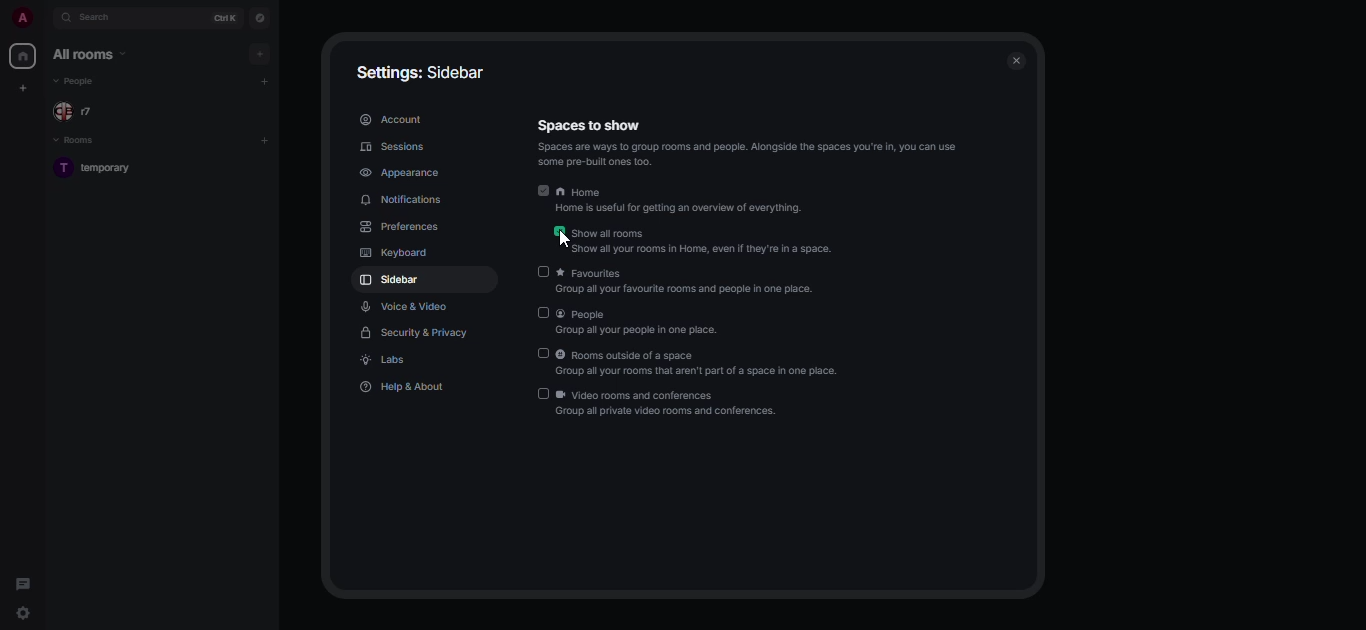 This screenshot has width=1366, height=630. What do you see at coordinates (104, 166) in the screenshot?
I see `room` at bounding box center [104, 166].